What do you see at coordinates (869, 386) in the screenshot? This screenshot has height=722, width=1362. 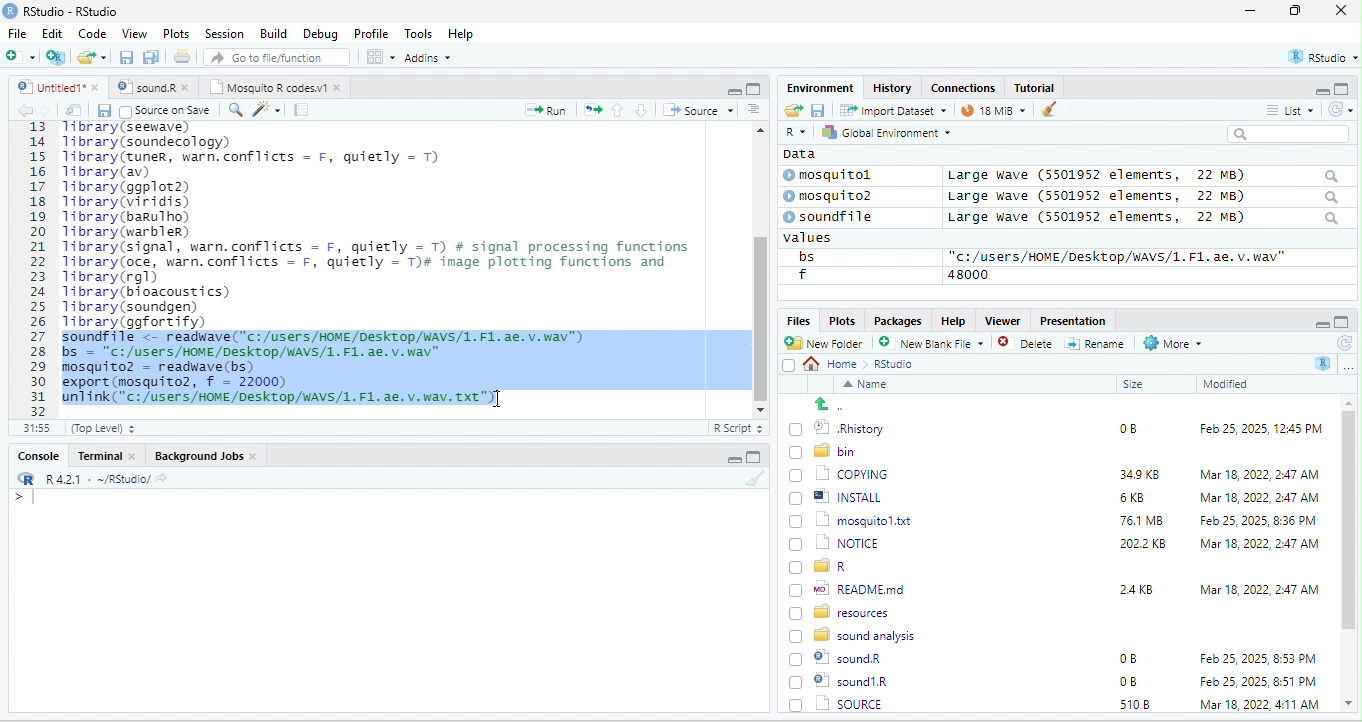 I see ` Name` at bounding box center [869, 386].